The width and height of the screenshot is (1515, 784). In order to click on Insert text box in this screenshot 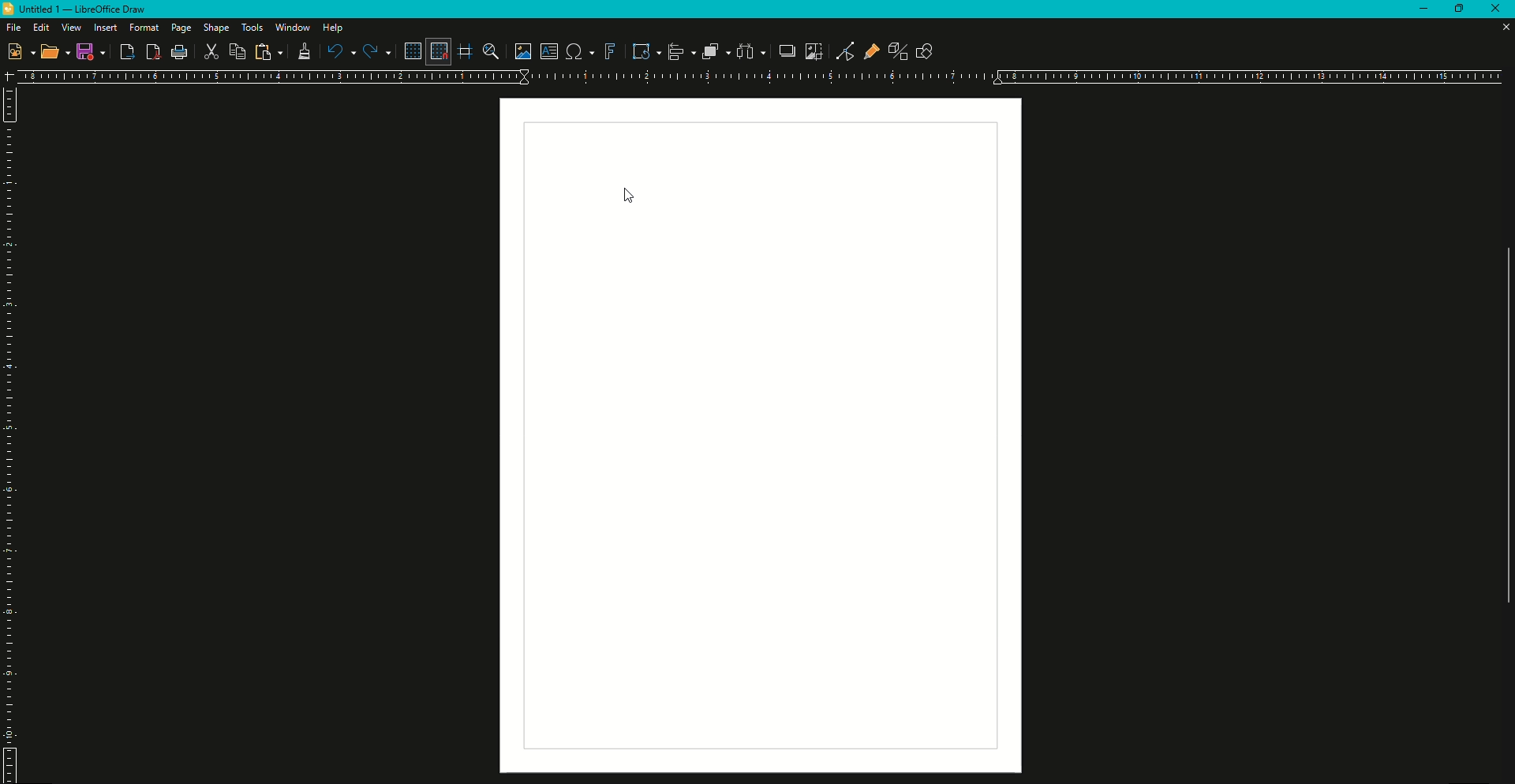, I will do `click(548, 52)`.